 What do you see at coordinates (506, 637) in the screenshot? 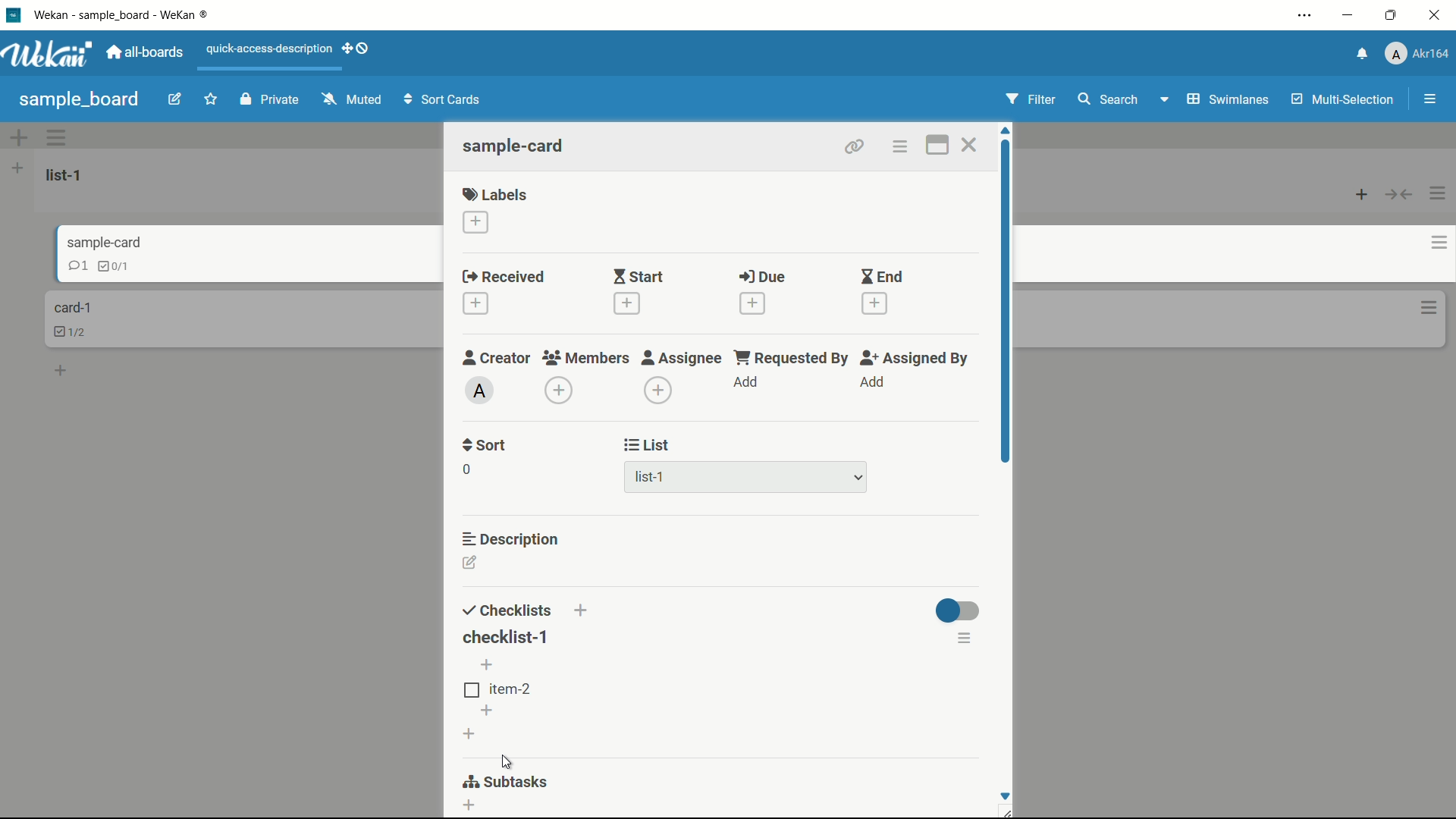
I see `checklist-1` at bounding box center [506, 637].